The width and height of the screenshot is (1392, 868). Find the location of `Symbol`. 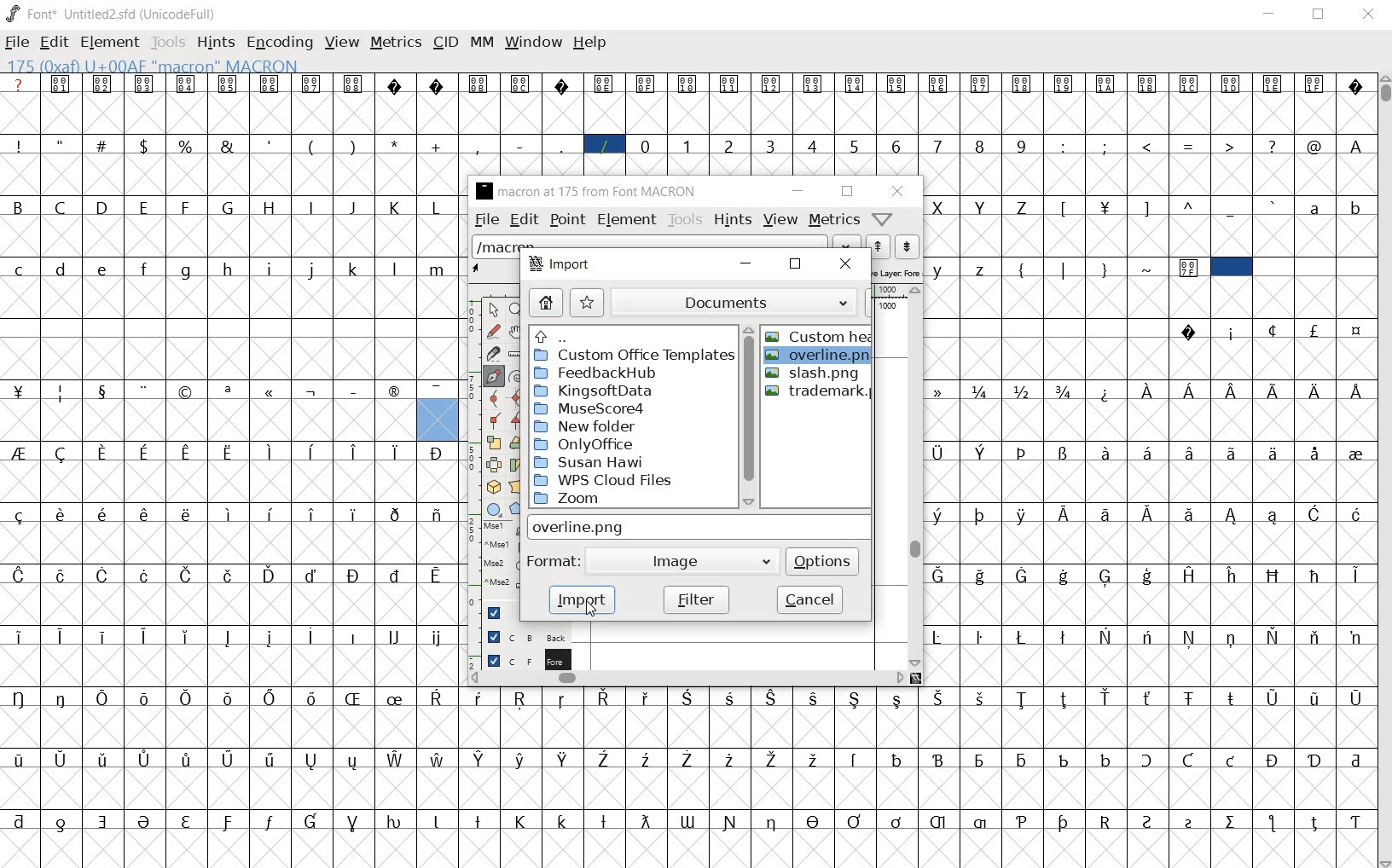

Symbol is located at coordinates (565, 821).